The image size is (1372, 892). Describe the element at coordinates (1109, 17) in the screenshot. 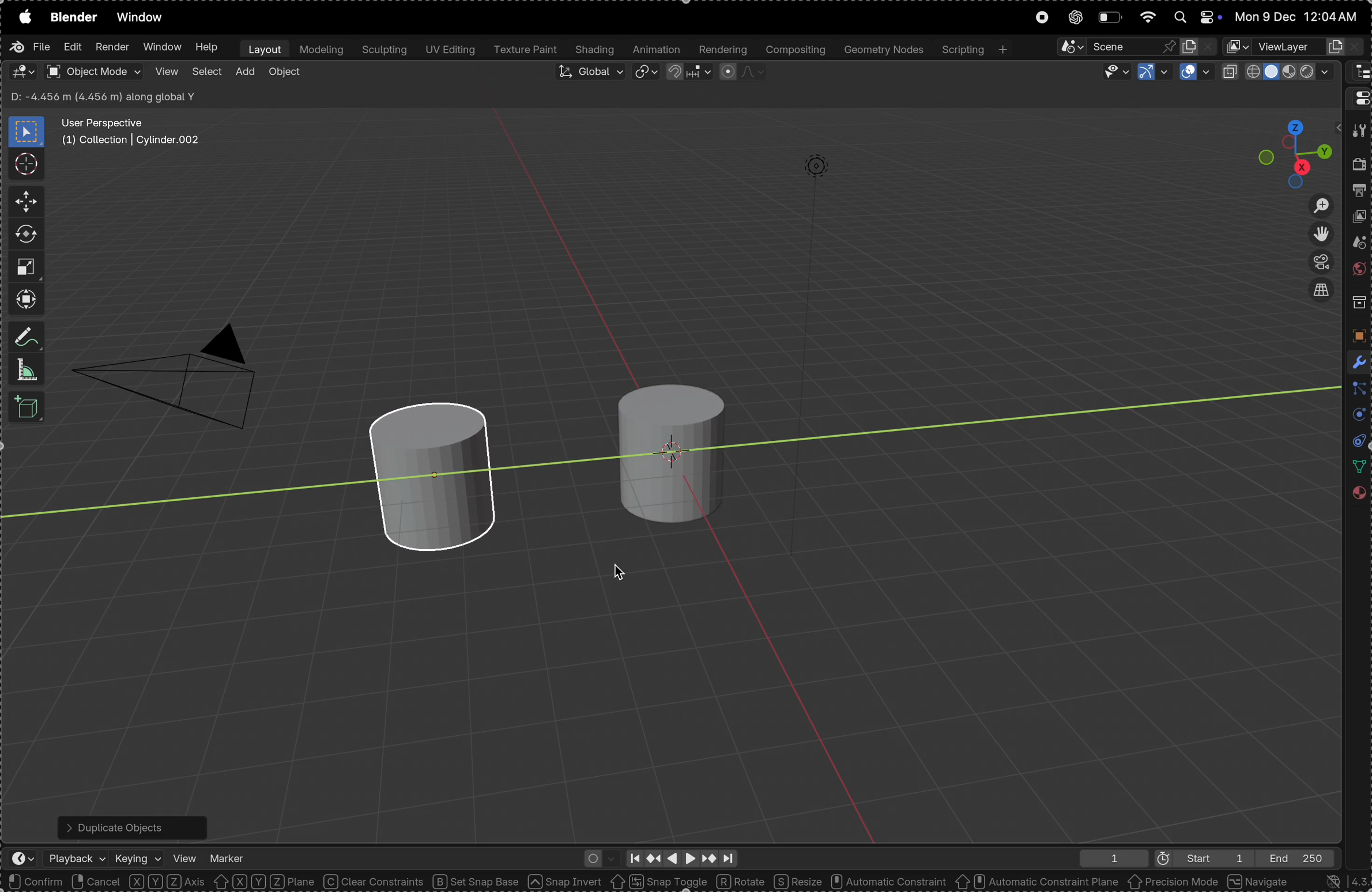

I see `battery` at that location.